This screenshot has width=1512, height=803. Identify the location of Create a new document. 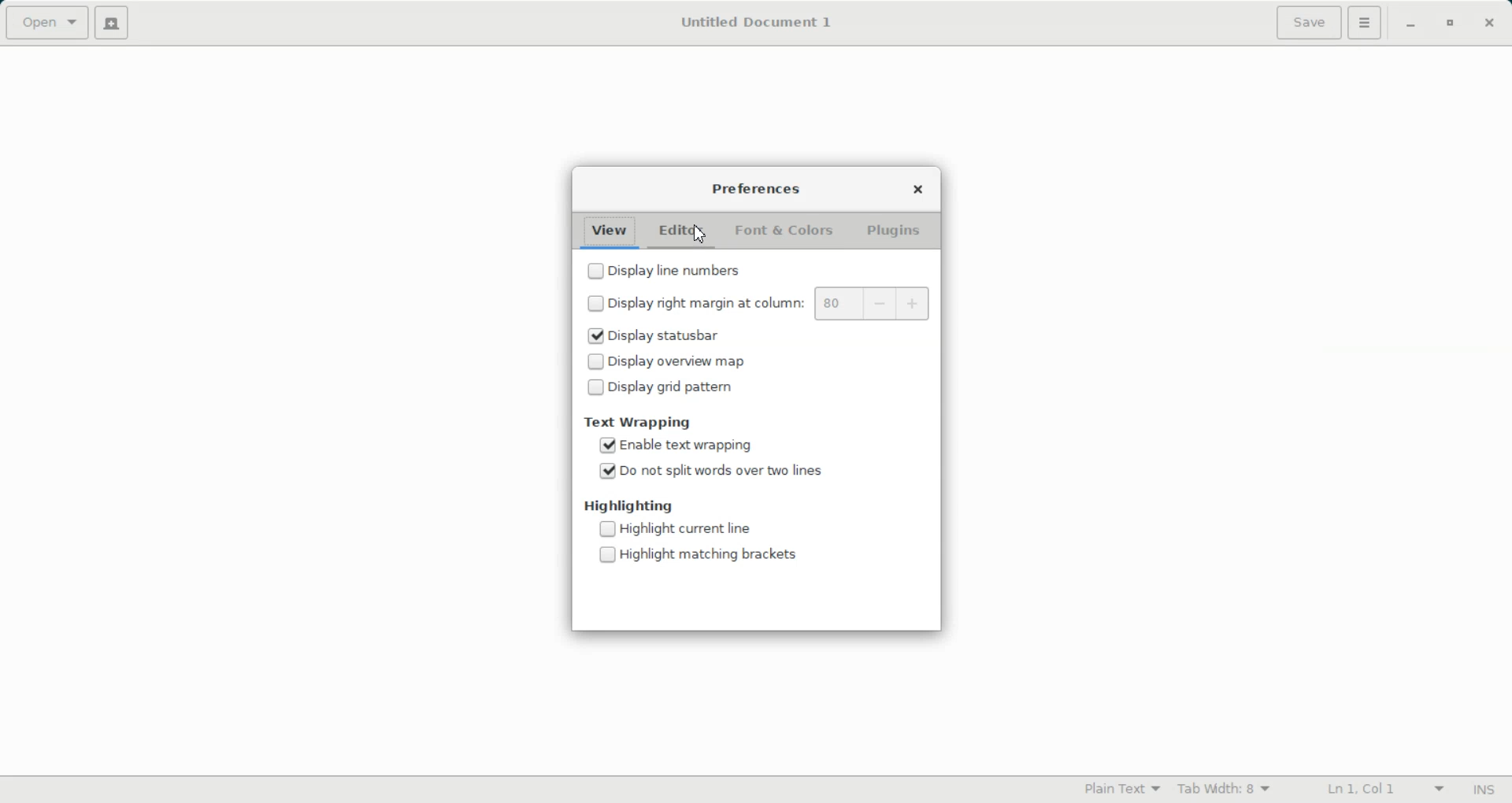
(116, 24).